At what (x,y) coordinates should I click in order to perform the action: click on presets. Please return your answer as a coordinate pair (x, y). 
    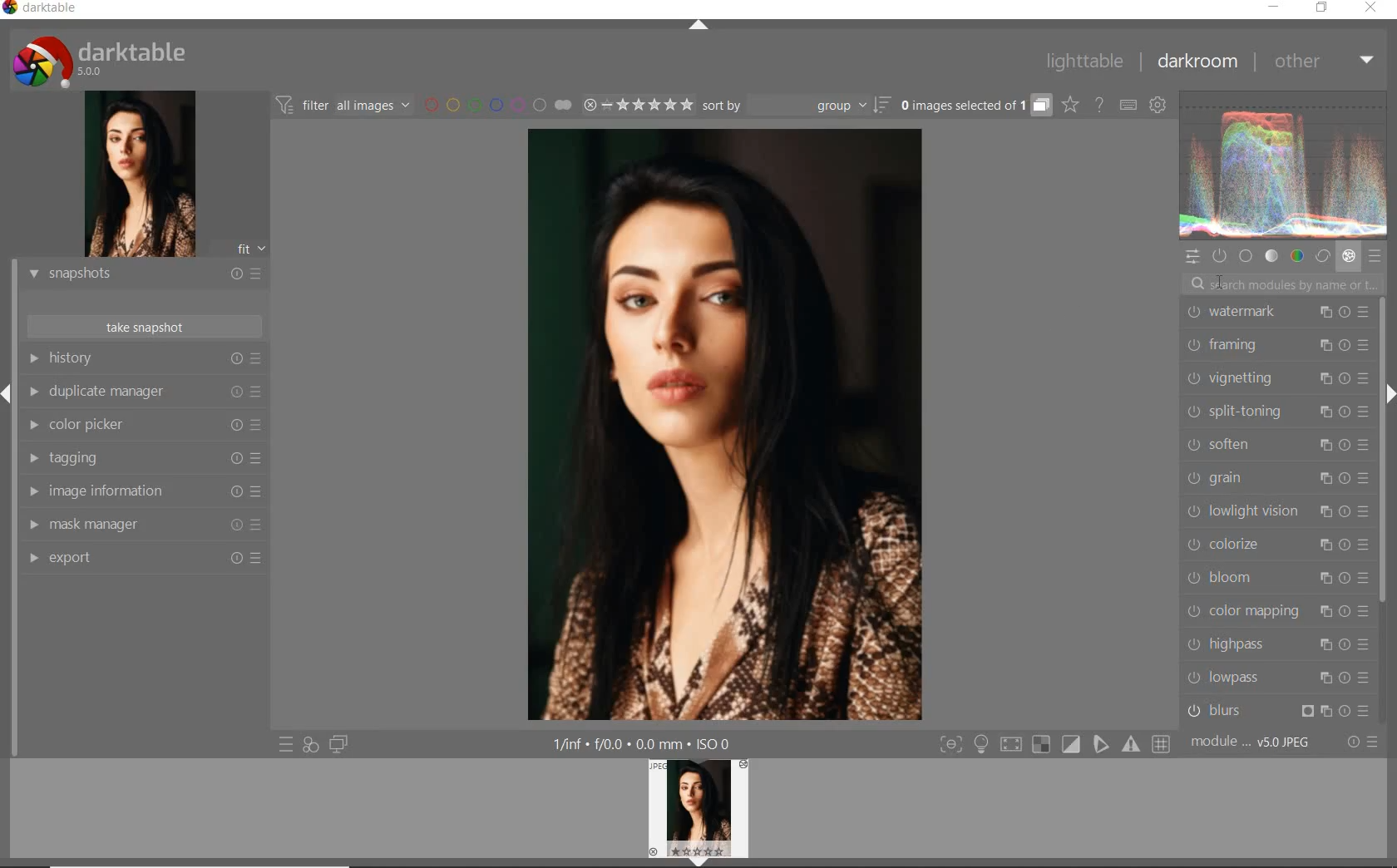
    Looking at the image, I should click on (1377, 258).